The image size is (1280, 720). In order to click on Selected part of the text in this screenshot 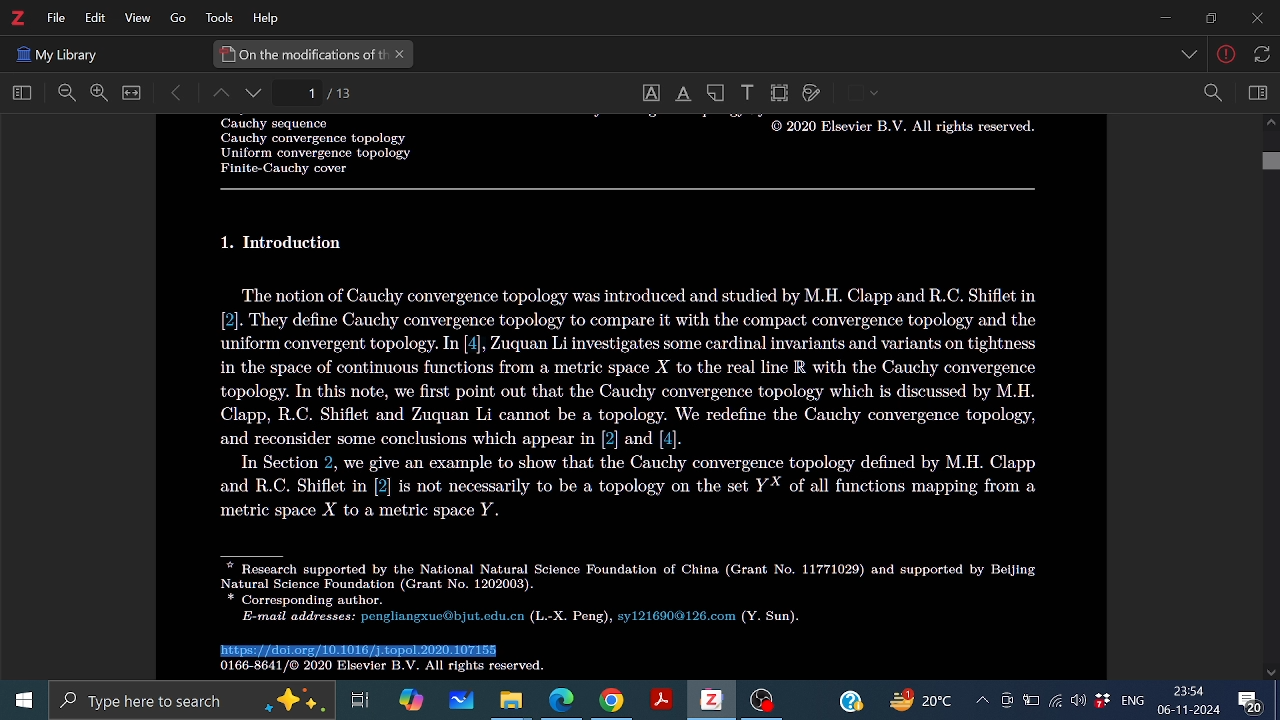, I will do `click(362, 651)`.